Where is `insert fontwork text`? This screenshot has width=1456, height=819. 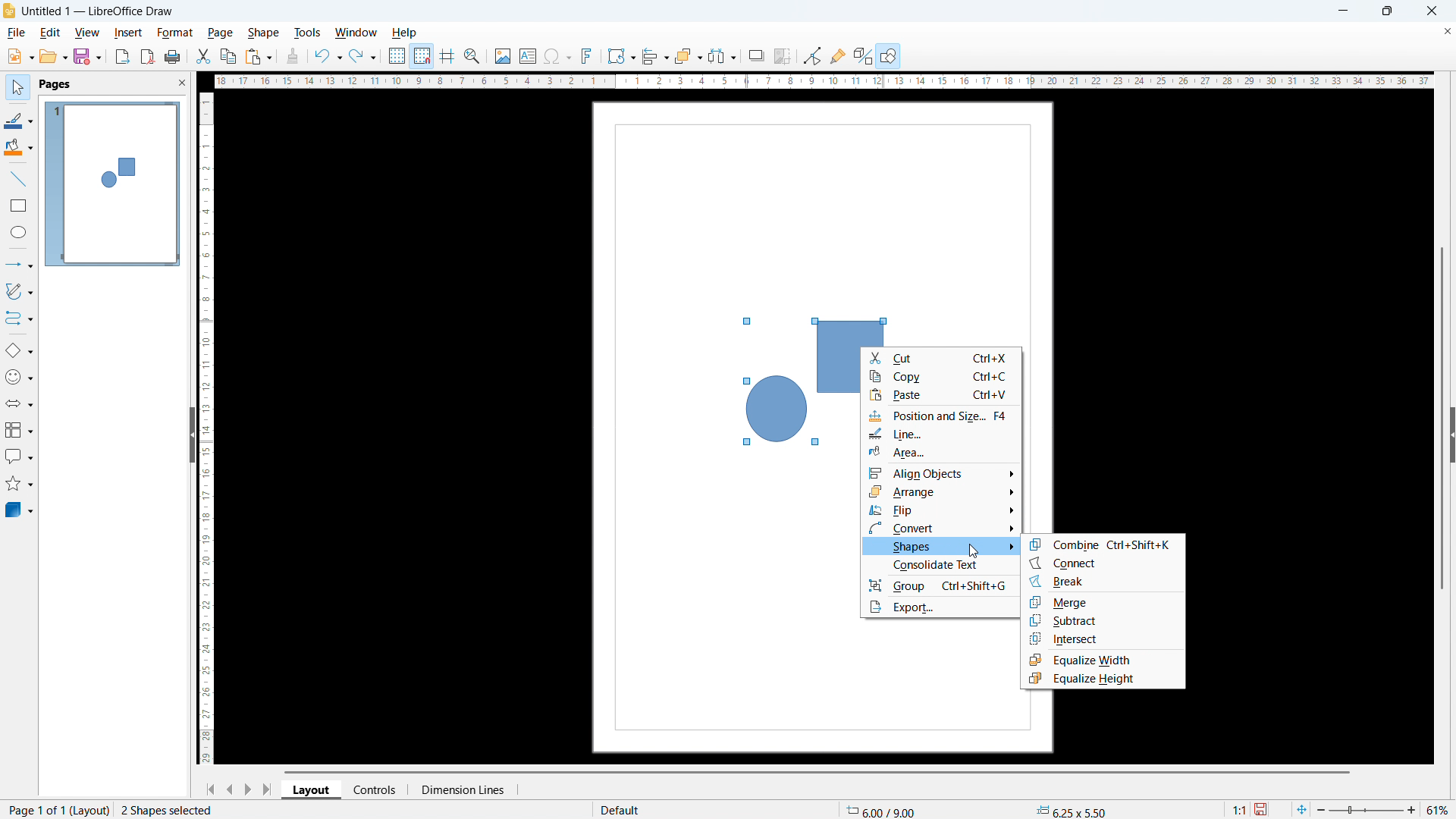
insert fontwork text is located at coordinates (588, 57).